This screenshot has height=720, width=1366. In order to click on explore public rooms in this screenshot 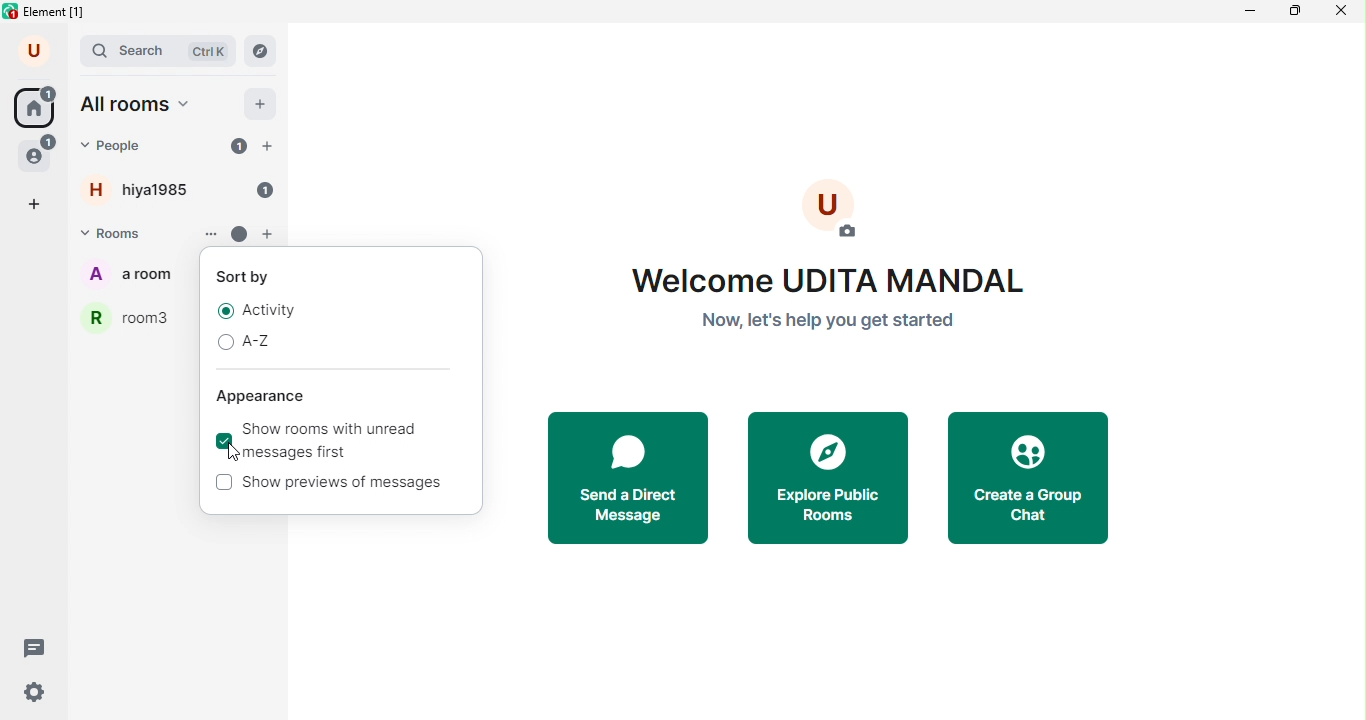, I will do `click(829, 478)`.